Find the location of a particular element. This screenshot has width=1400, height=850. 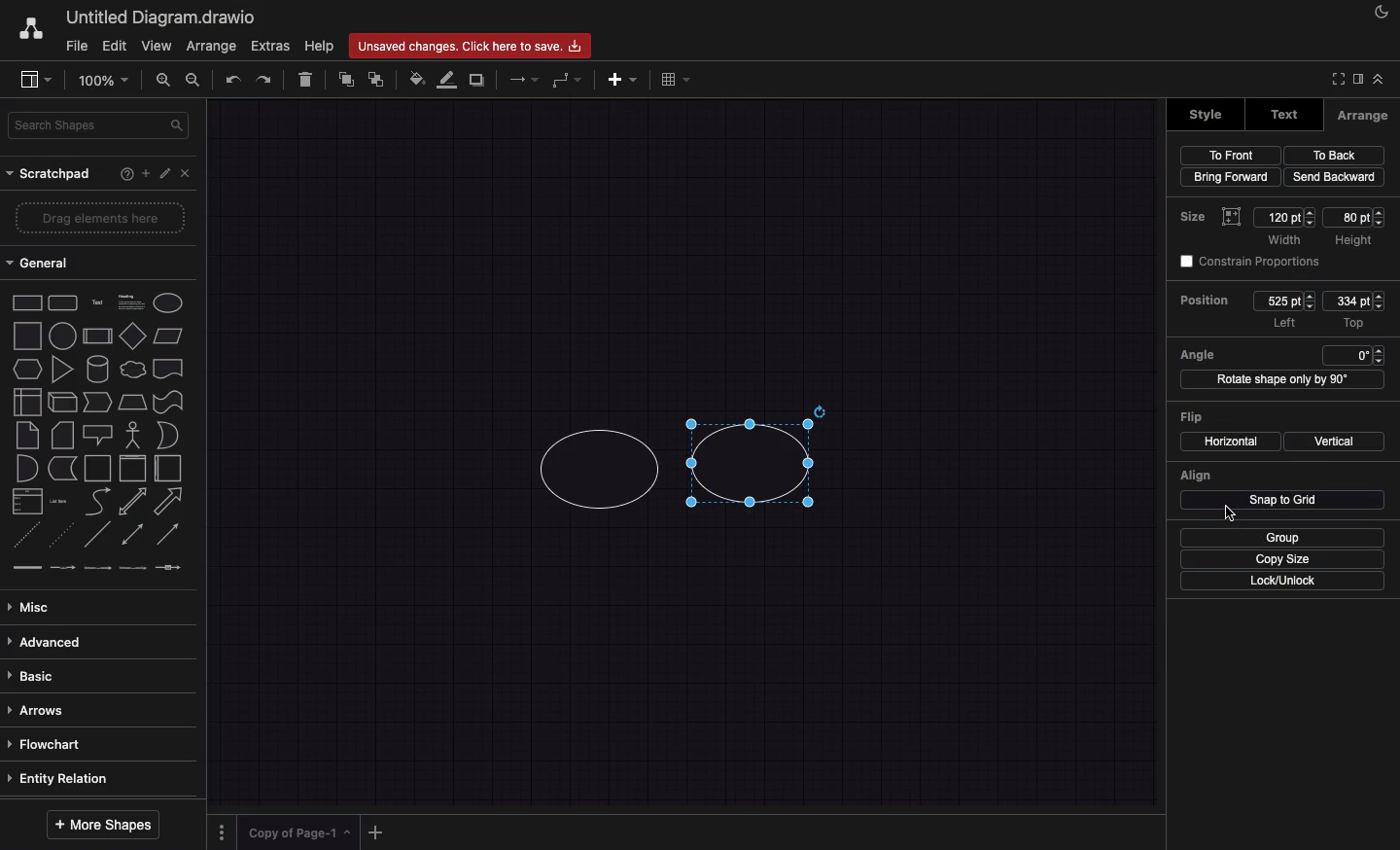

line is located at coordinates (98, 535).